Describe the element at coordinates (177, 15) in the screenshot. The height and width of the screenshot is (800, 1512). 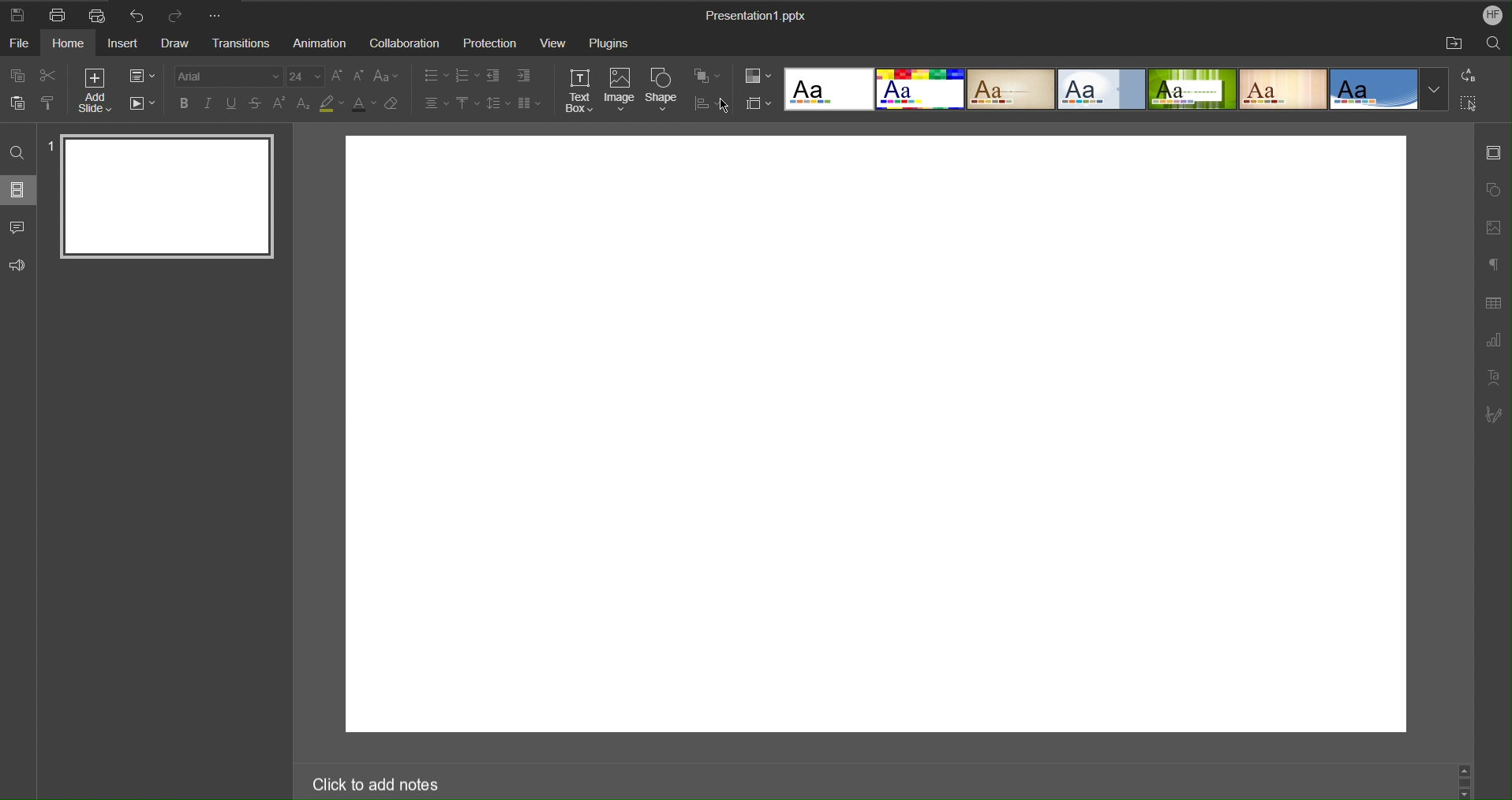
I see `Redo` at that location.